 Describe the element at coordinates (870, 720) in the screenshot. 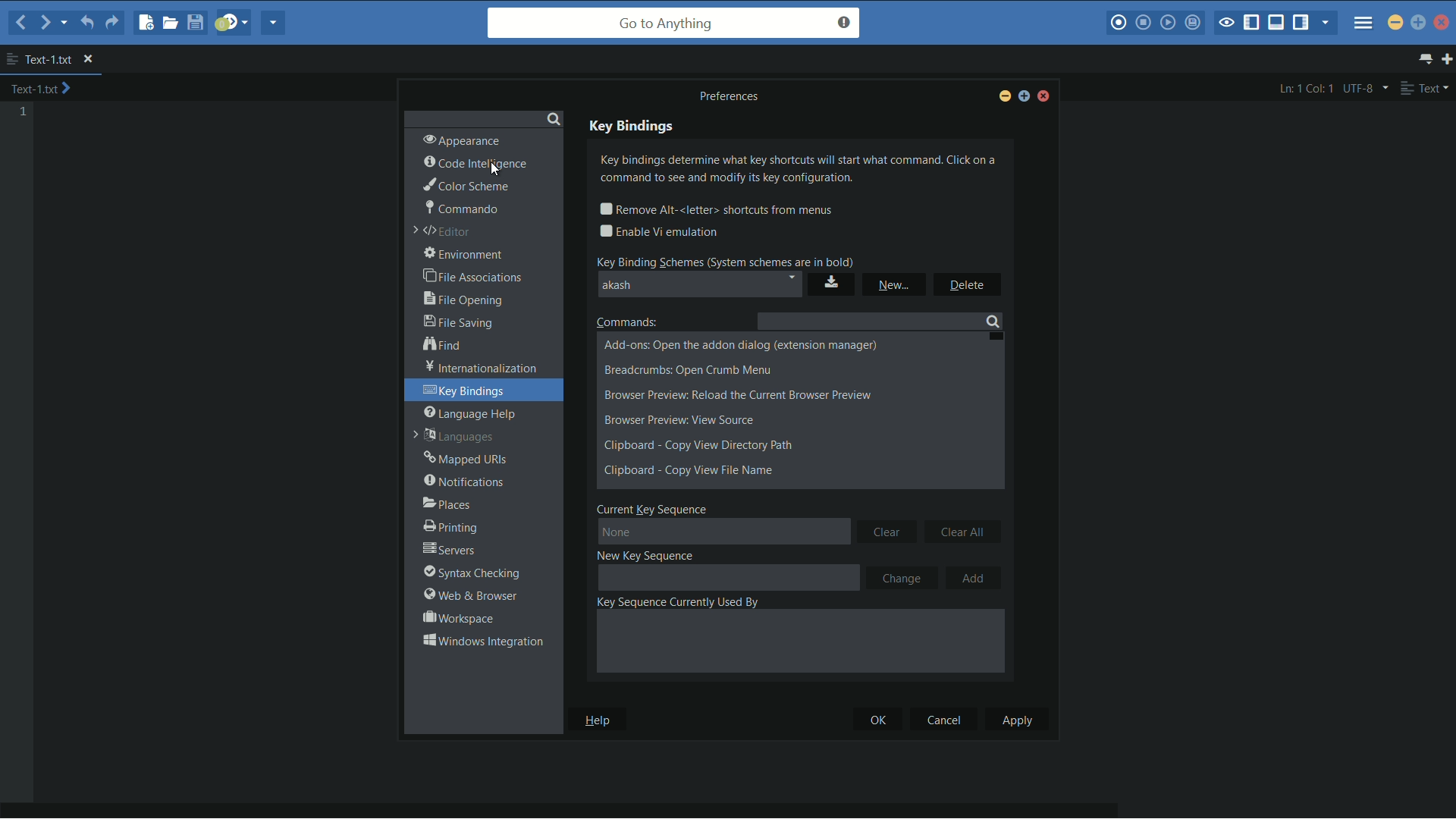

I see `ok` at that location.